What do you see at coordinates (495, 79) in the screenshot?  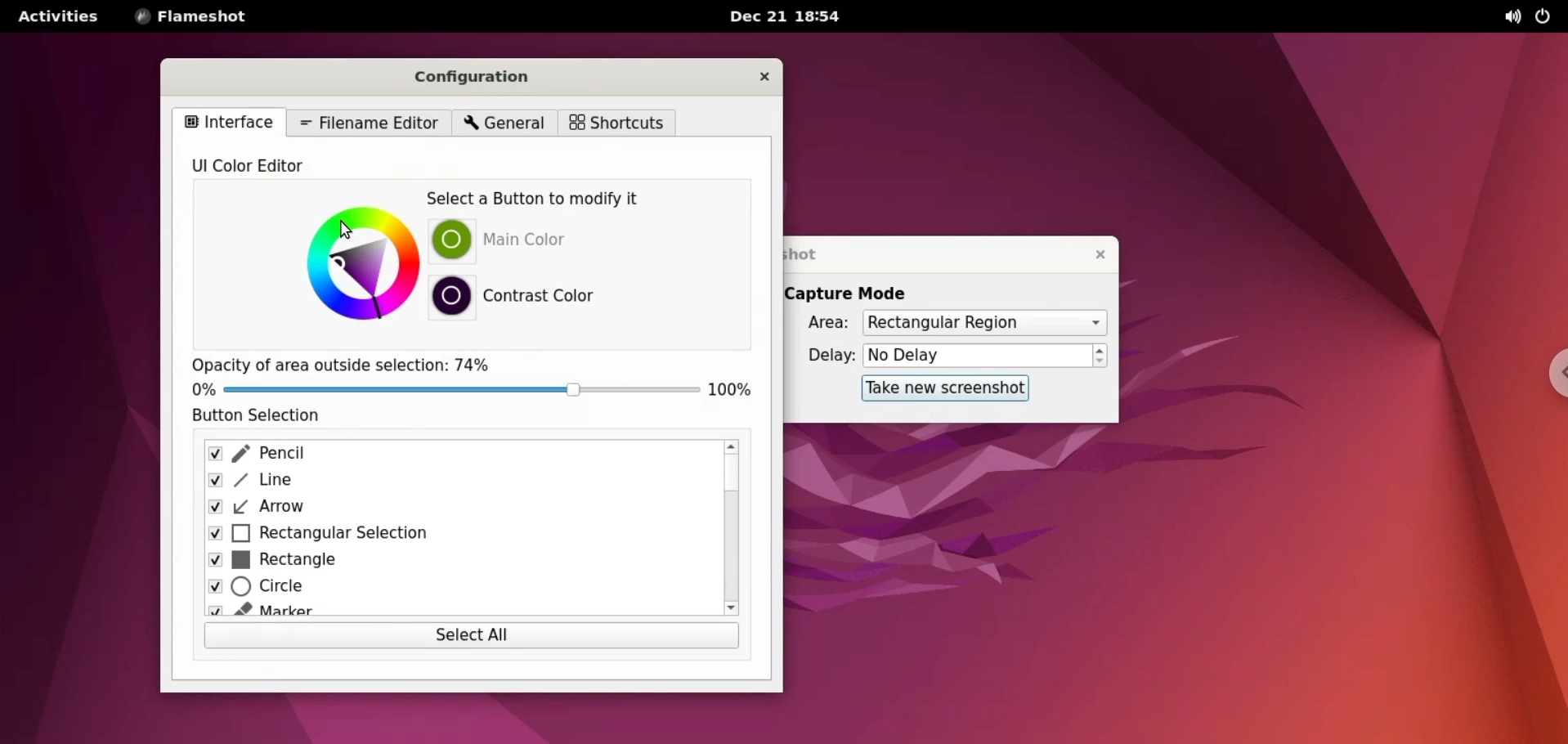 I see `configuration` at bounding box center [495, 79].